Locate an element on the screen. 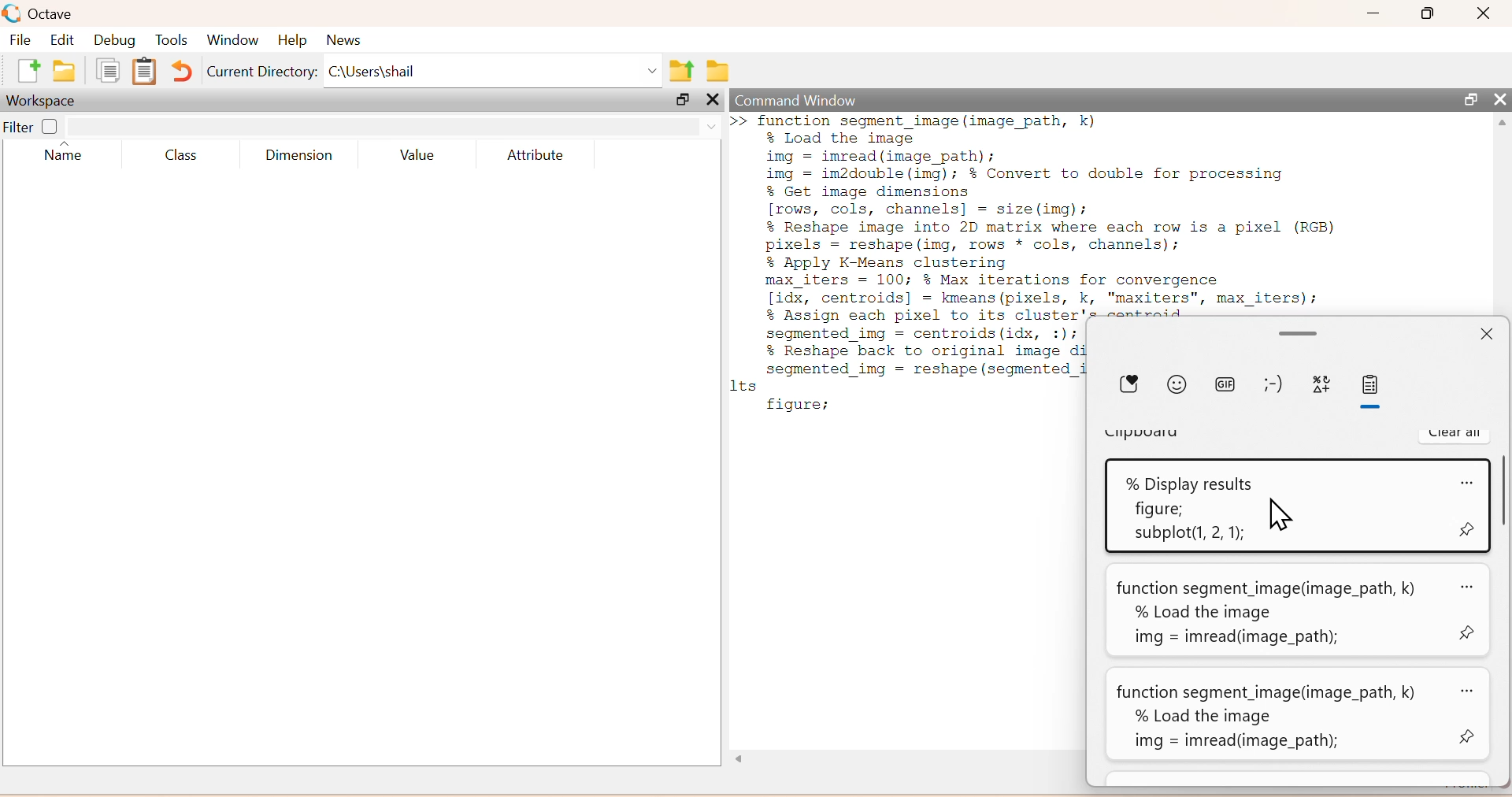 Image resolution: width=1512 pixels, height=797 pixels. Value is located at coordinates (417, 157).